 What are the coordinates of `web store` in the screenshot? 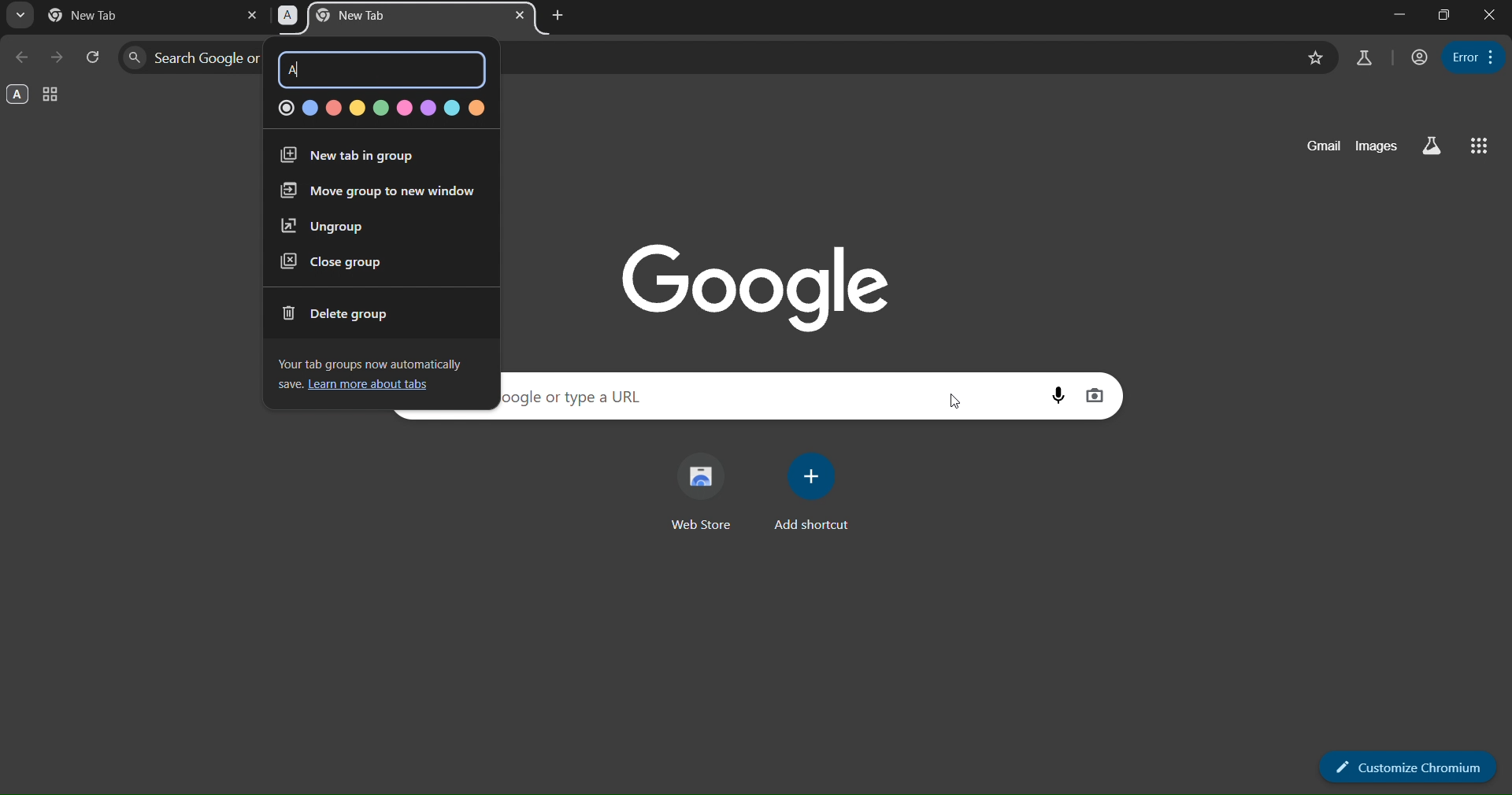 It's located at (703, 494).